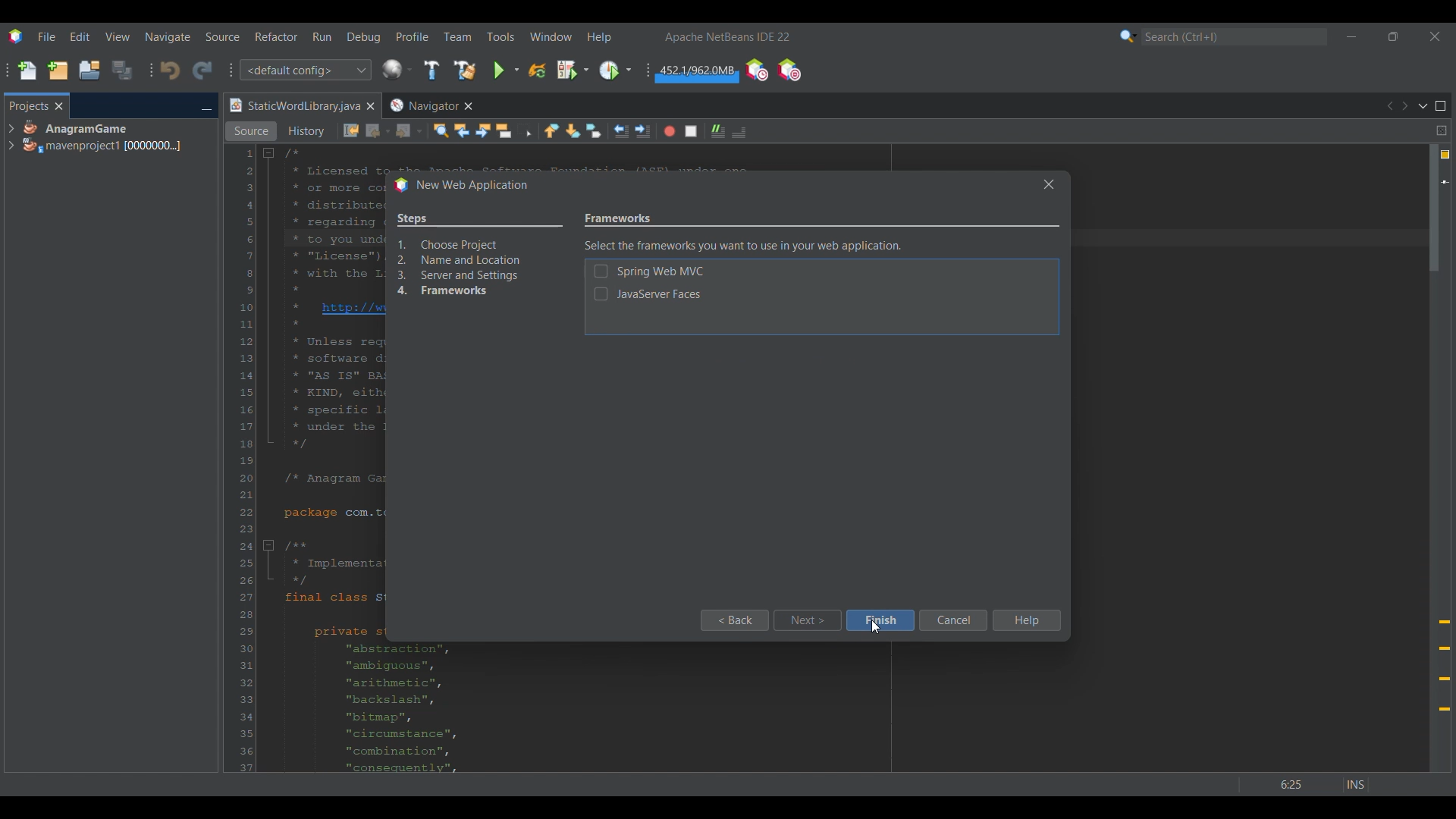  I want to click on Software logo, so click(15, 36).